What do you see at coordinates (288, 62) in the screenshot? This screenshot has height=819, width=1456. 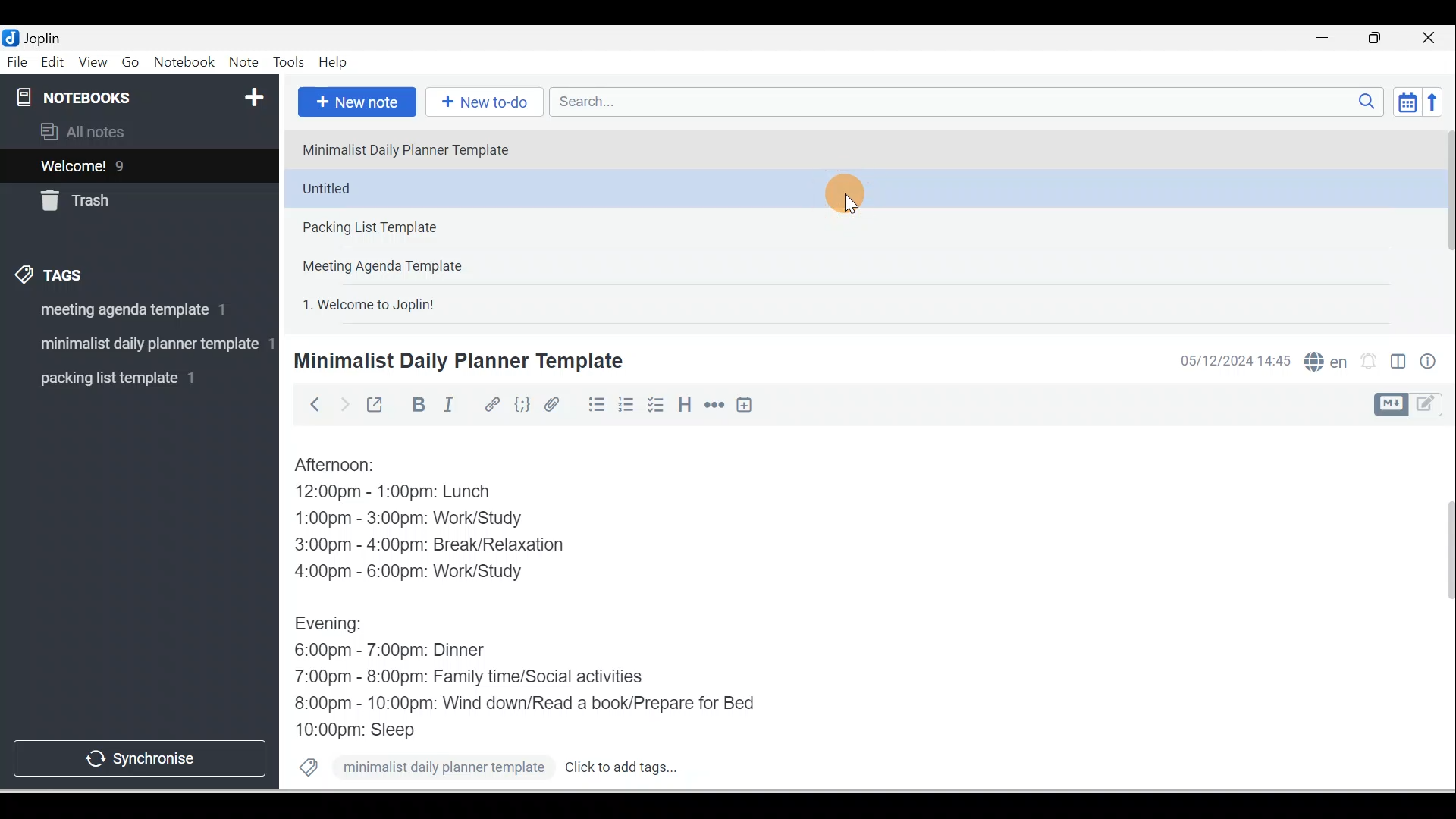 I see `Tools` at bounding box center [288, 62].